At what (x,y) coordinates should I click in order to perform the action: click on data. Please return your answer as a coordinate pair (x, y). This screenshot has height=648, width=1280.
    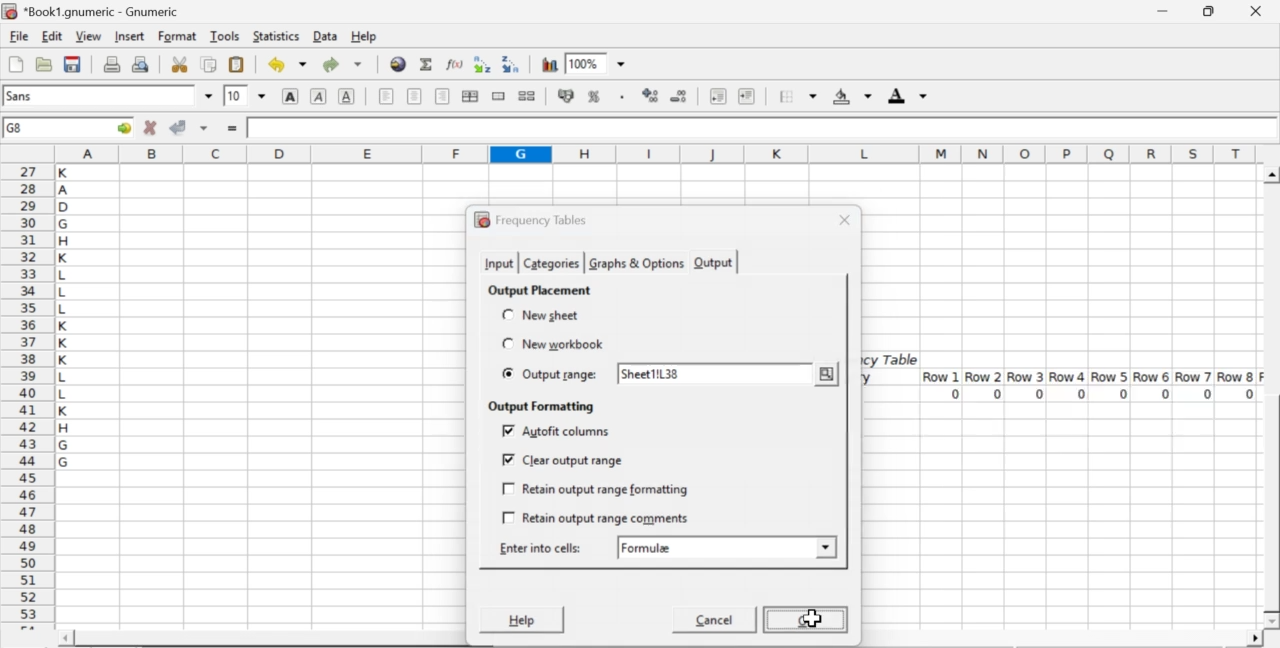
    Looking at the image, I should click on (327, 35).